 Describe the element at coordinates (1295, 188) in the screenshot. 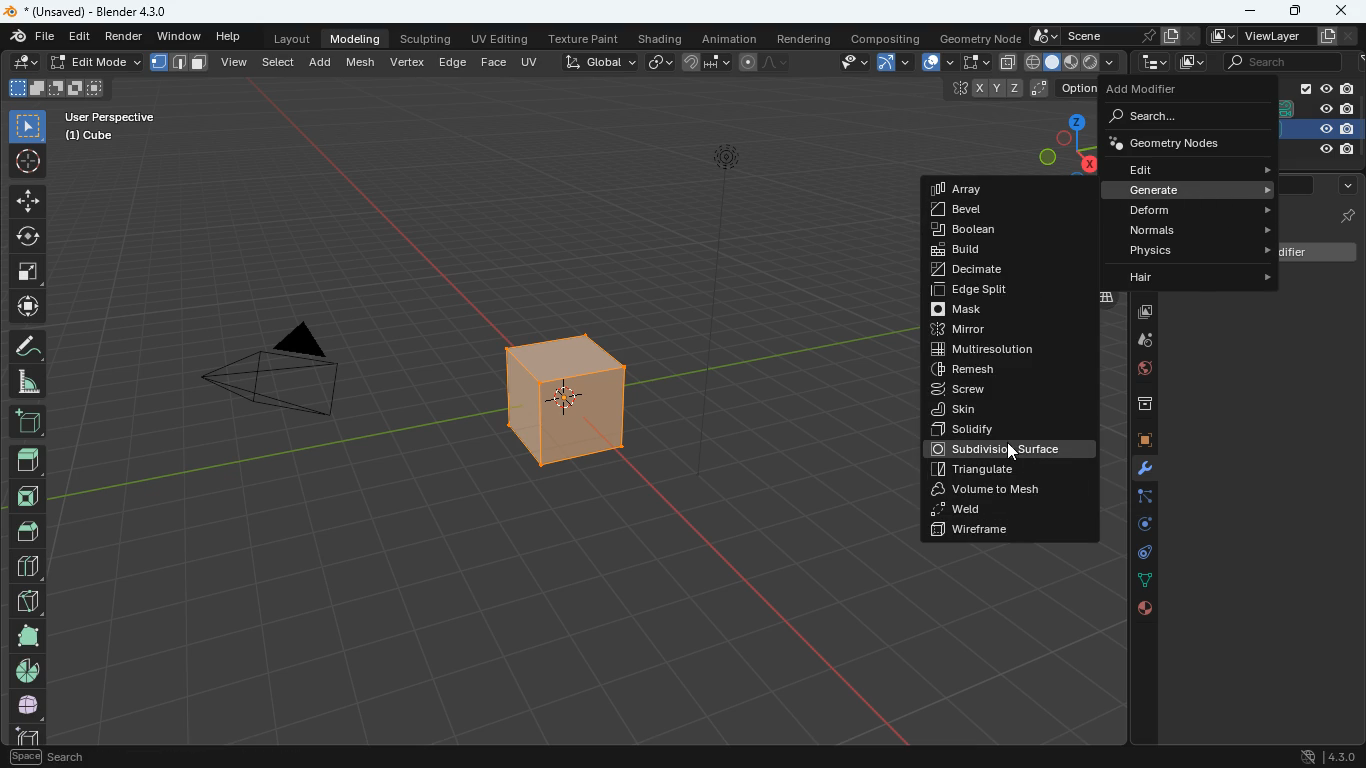

I see `search` at that location.